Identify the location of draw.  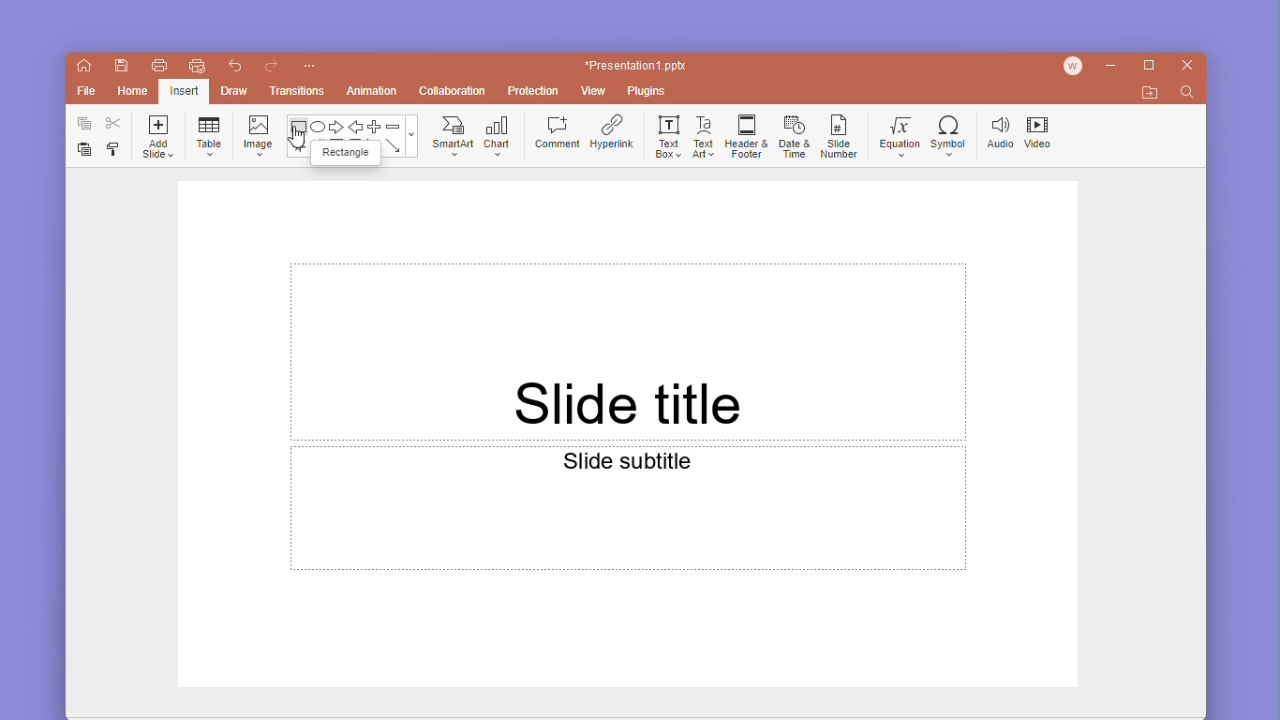
(235, 89).